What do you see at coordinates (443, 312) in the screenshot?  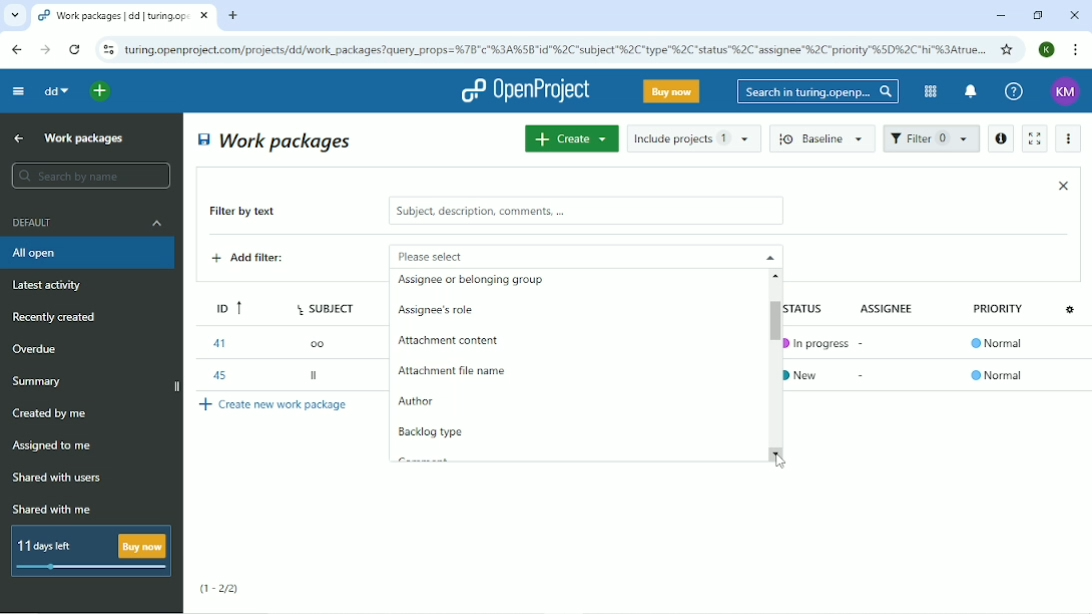 I see `Assignee's role` at bounding box center [443, 312].